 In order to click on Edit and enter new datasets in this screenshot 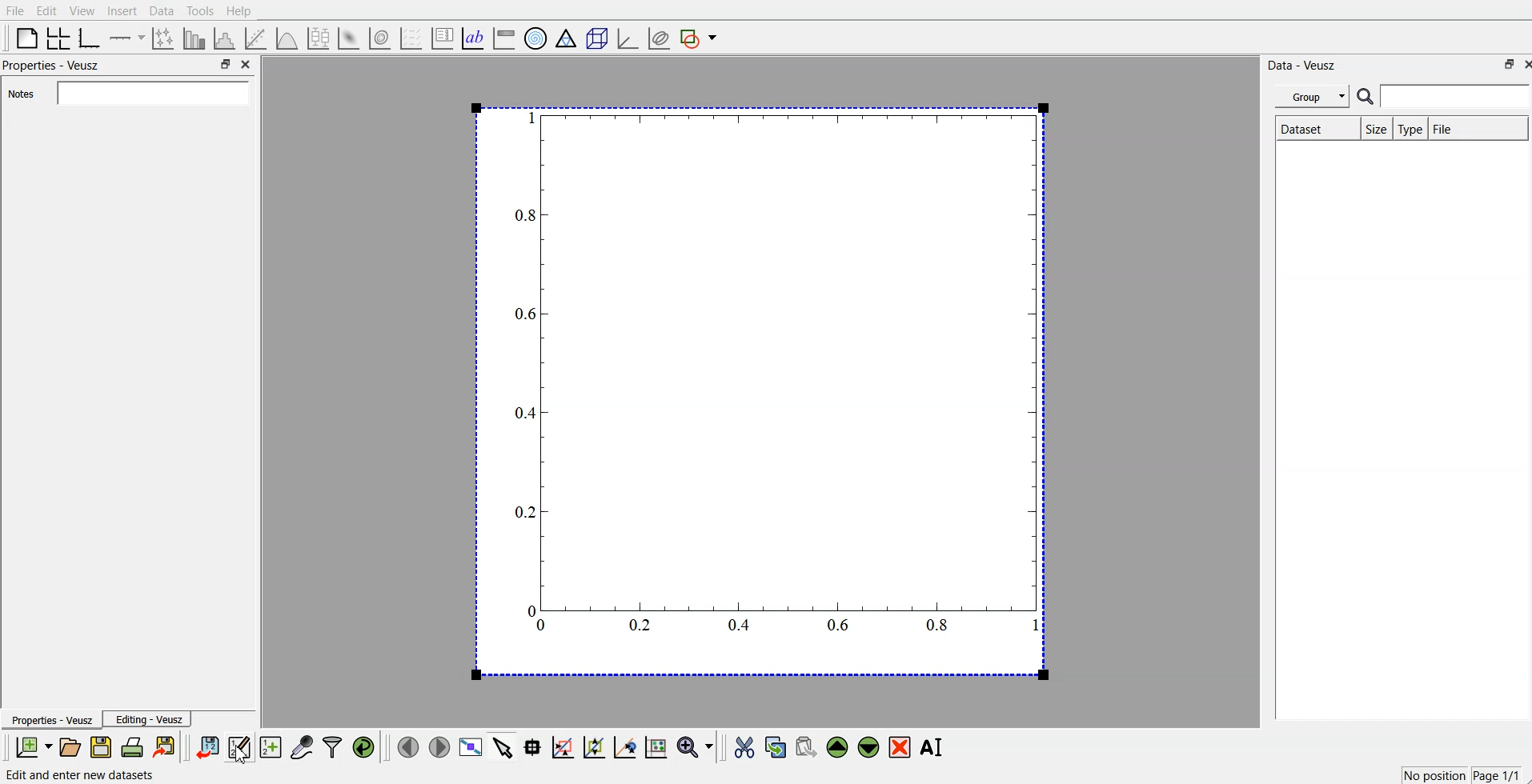, I will do `click(86, 774)`.